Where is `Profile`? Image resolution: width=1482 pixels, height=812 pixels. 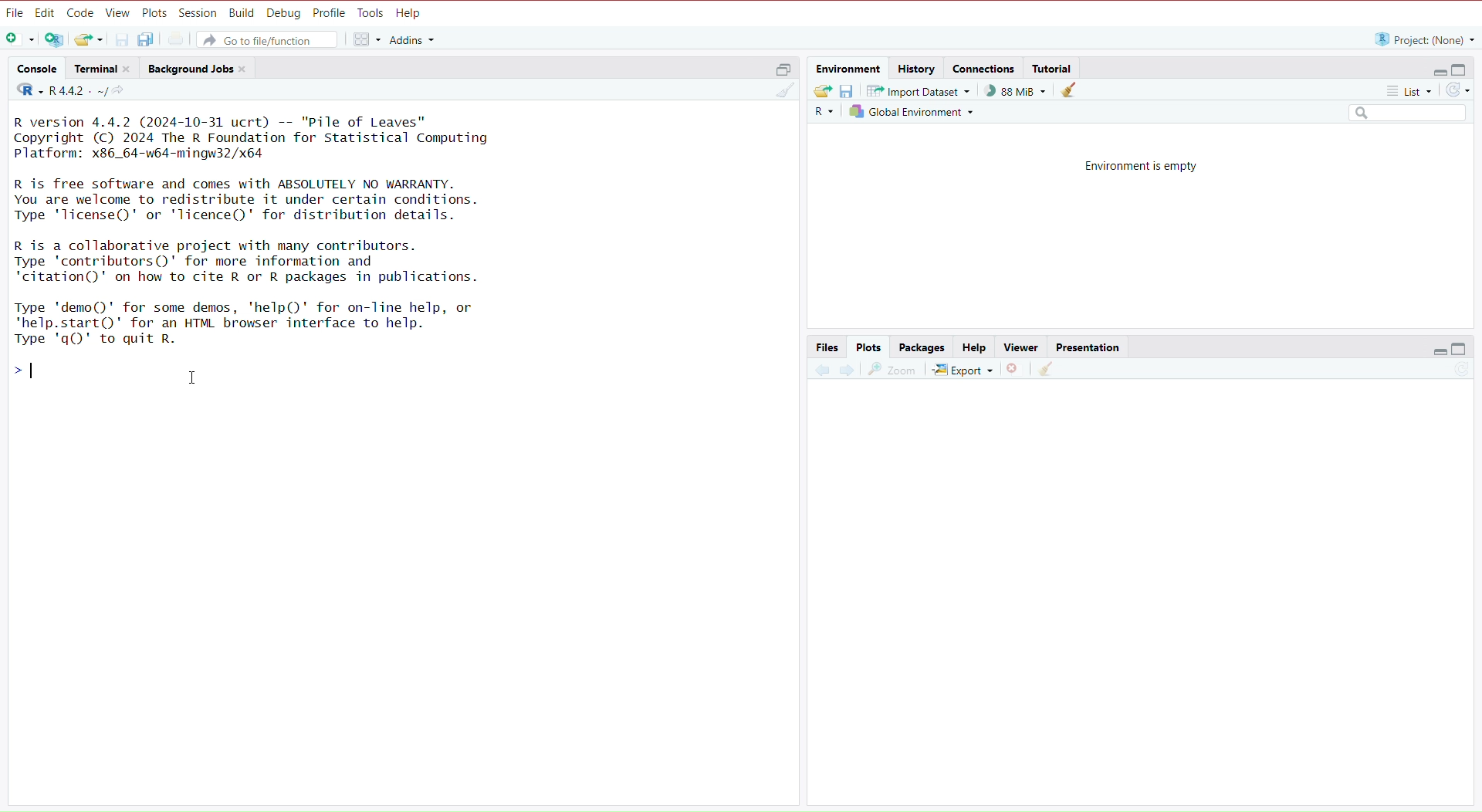 Profile is located at coordinates (330, 12).